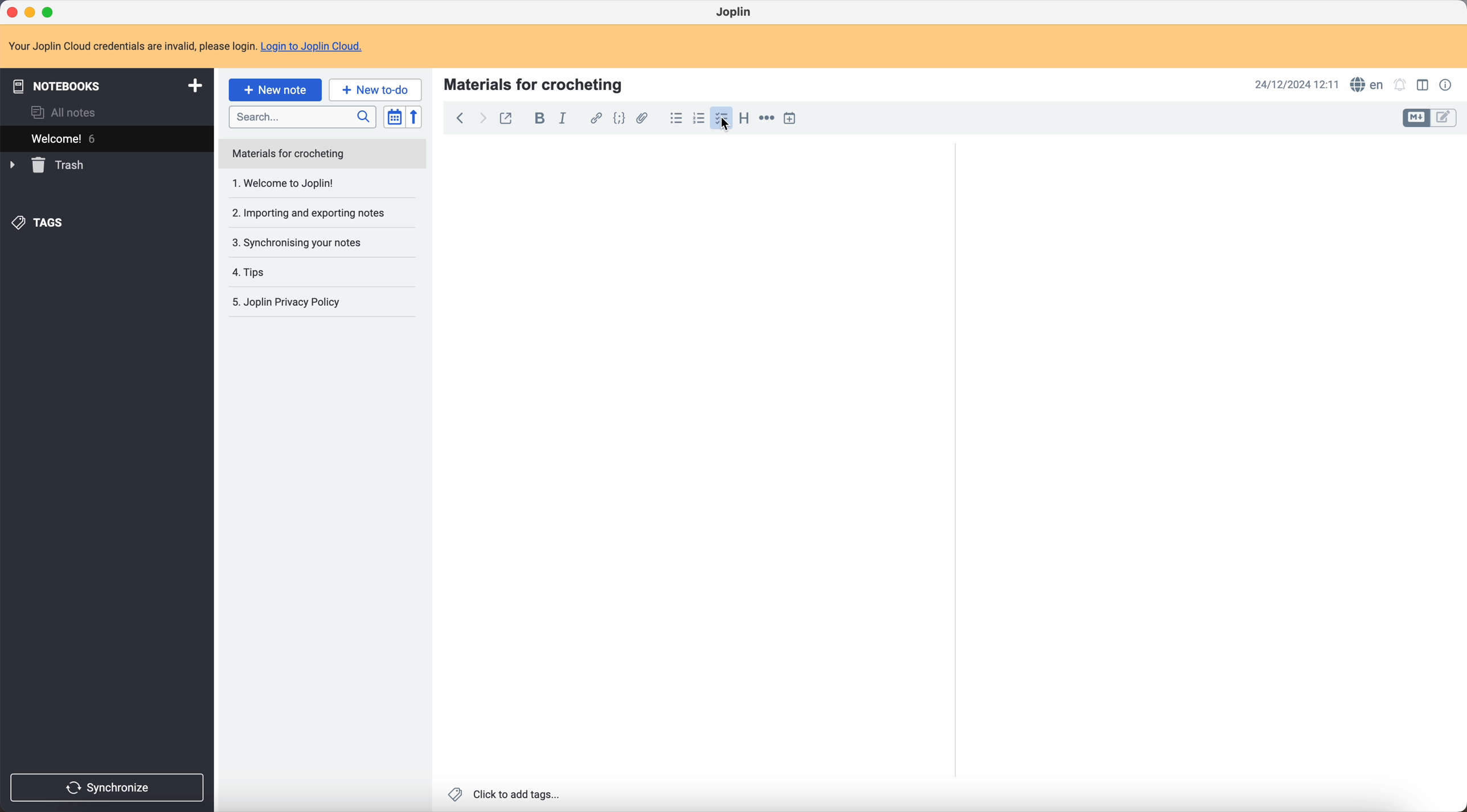 Image resolution: width=1467 pixels, height=812 pixels. Describe the element at coordinates (675, 118) in the screenshot. I see `bulleted list` at that location.